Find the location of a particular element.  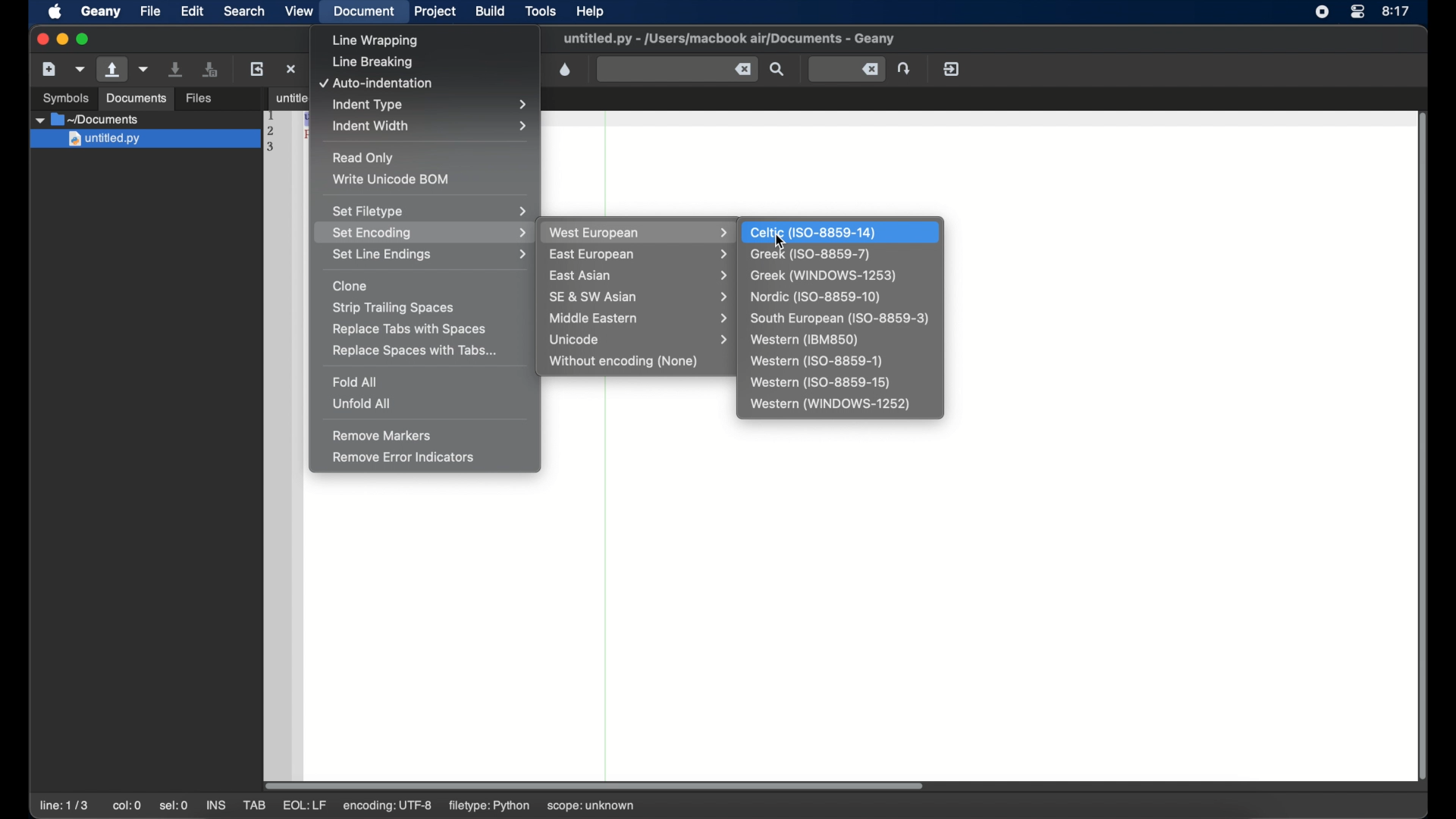

screen recorder icon is located at coordinates (1321, 12).